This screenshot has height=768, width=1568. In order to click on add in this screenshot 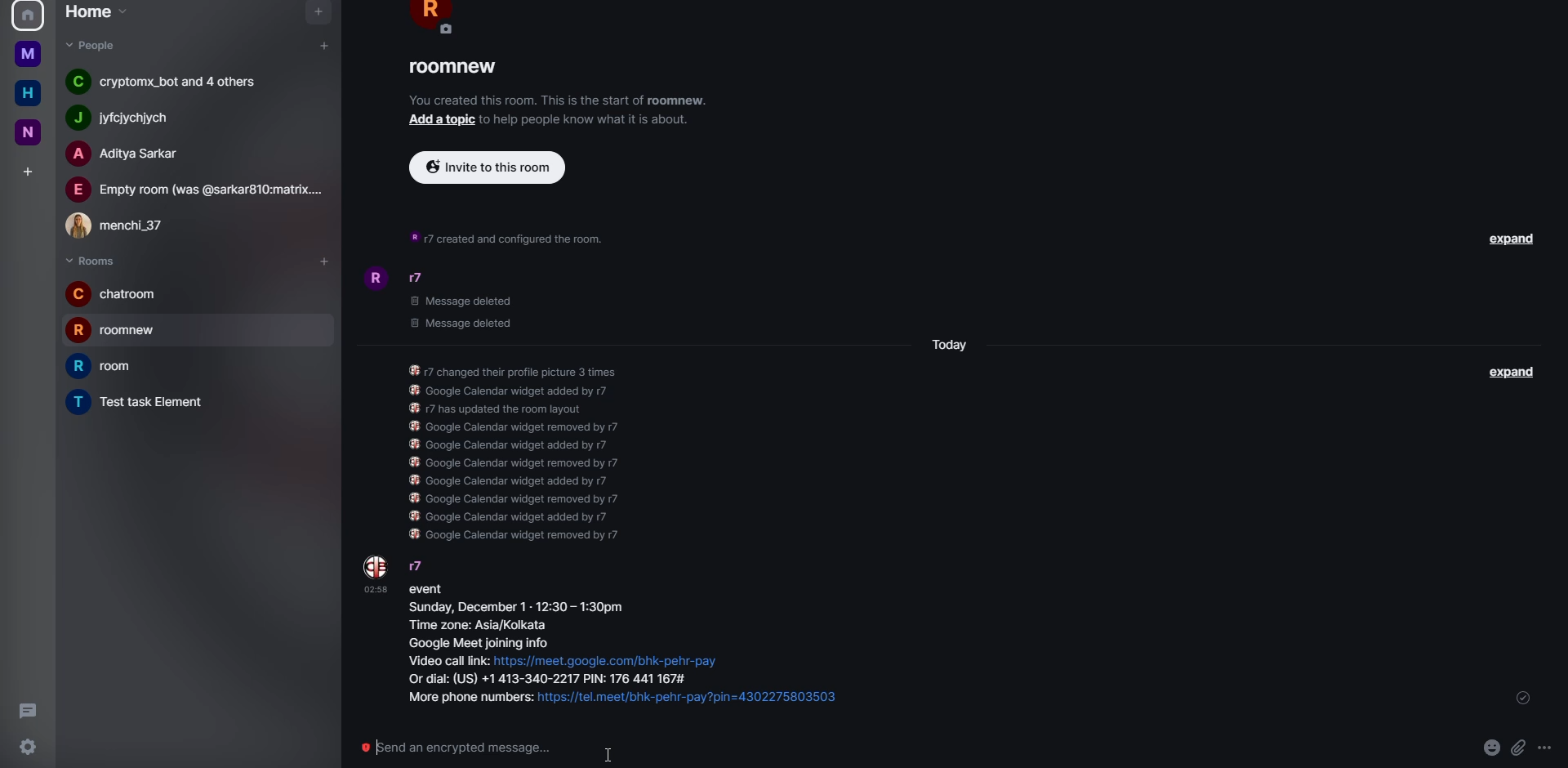, I will do `click(28, 169)`.